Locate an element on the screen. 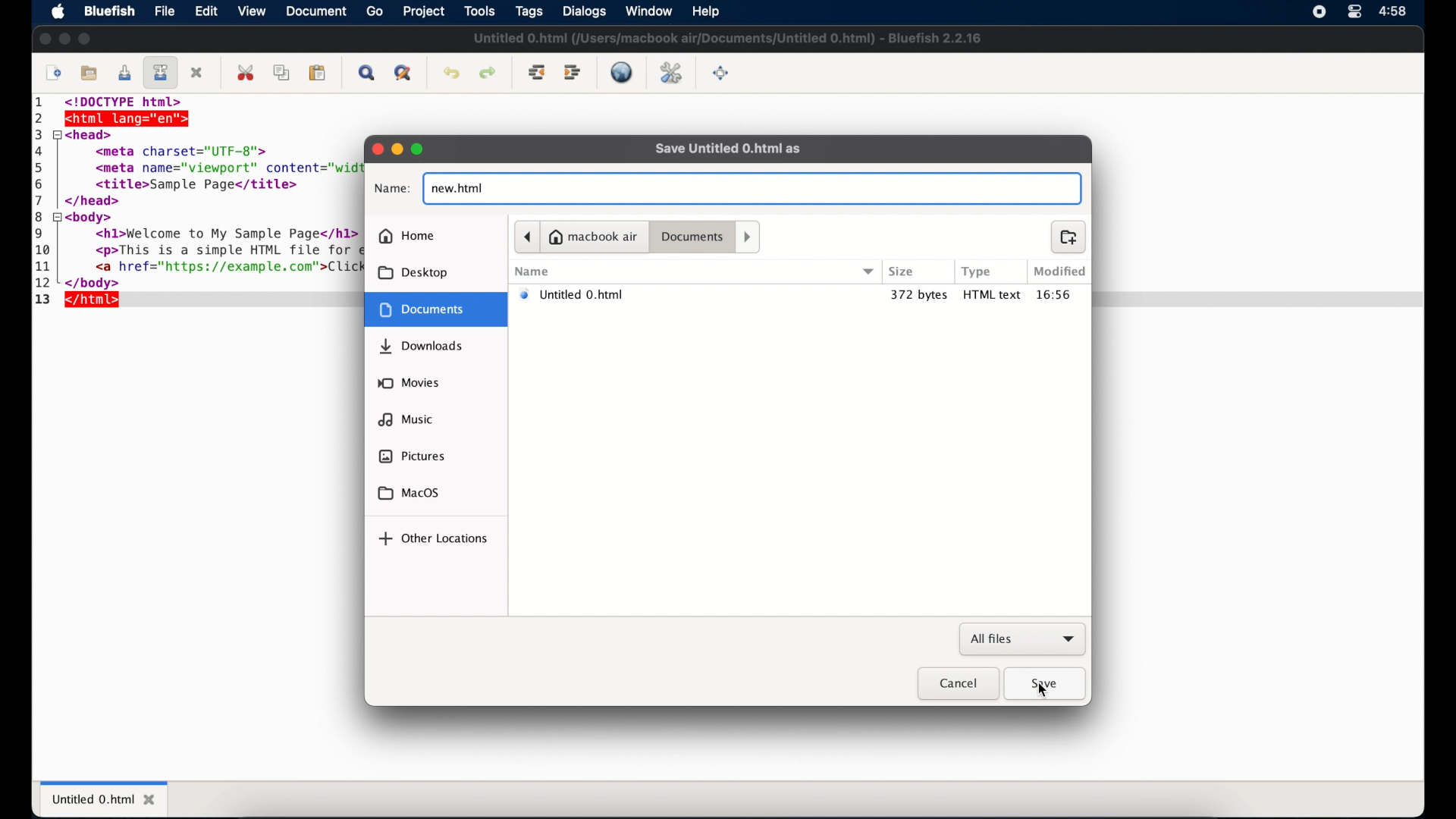  all files dropdown is located at coordinates (1023, 640).